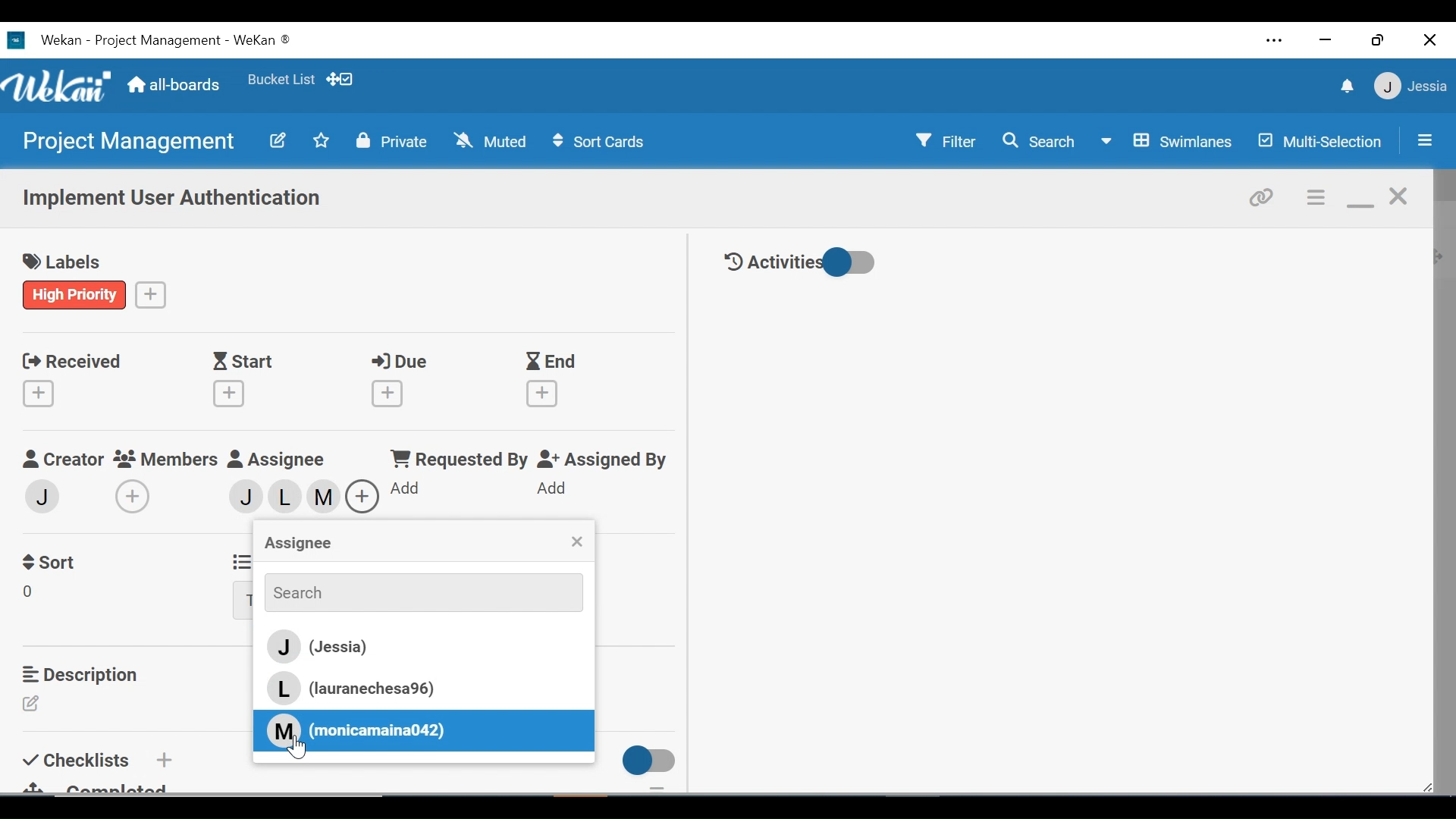 The image size is (1456, 819). I want to click on Close, so click(1431, 39).